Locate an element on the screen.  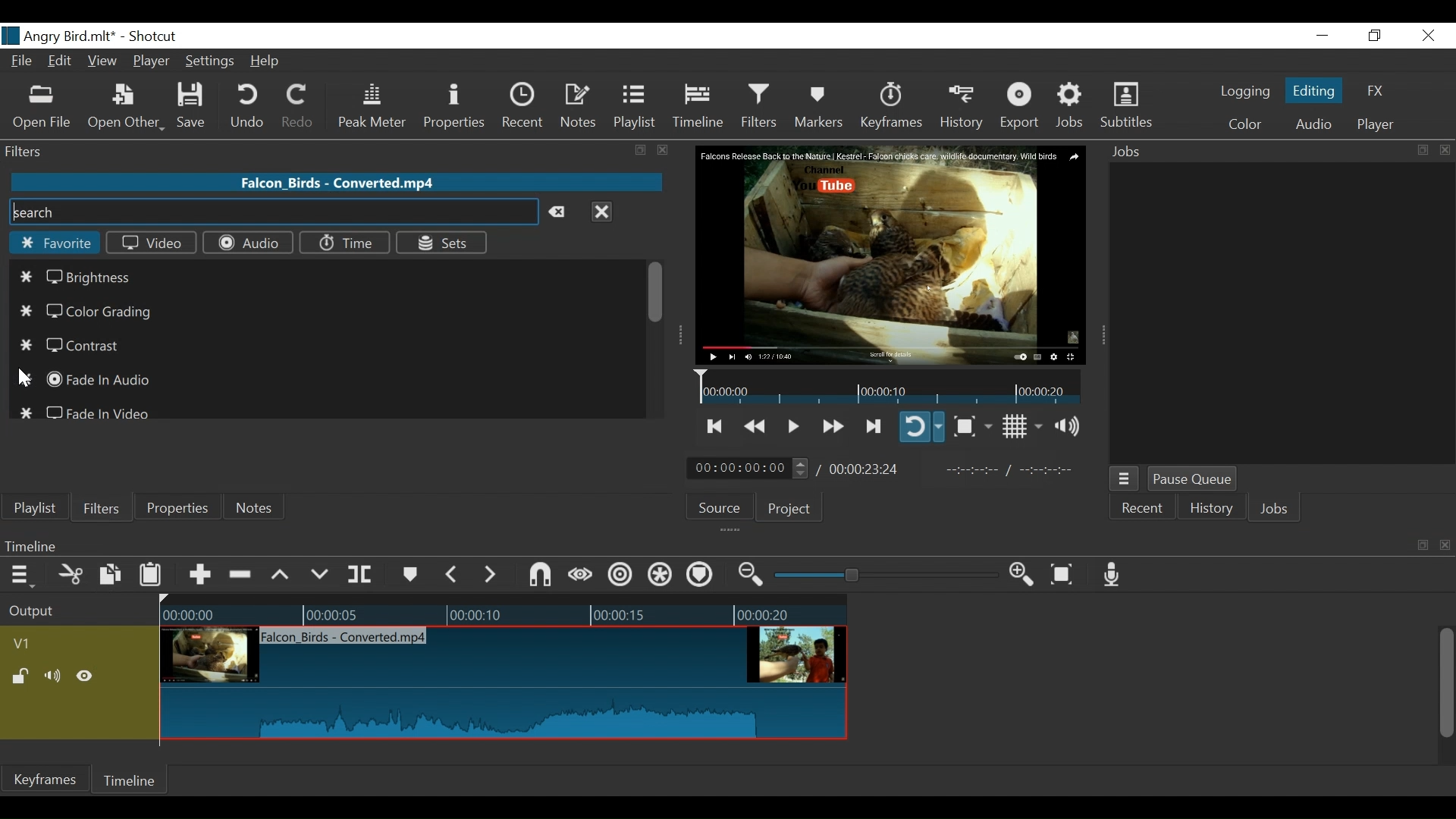
Scrub while dragging is located at coordinates (583, 576).